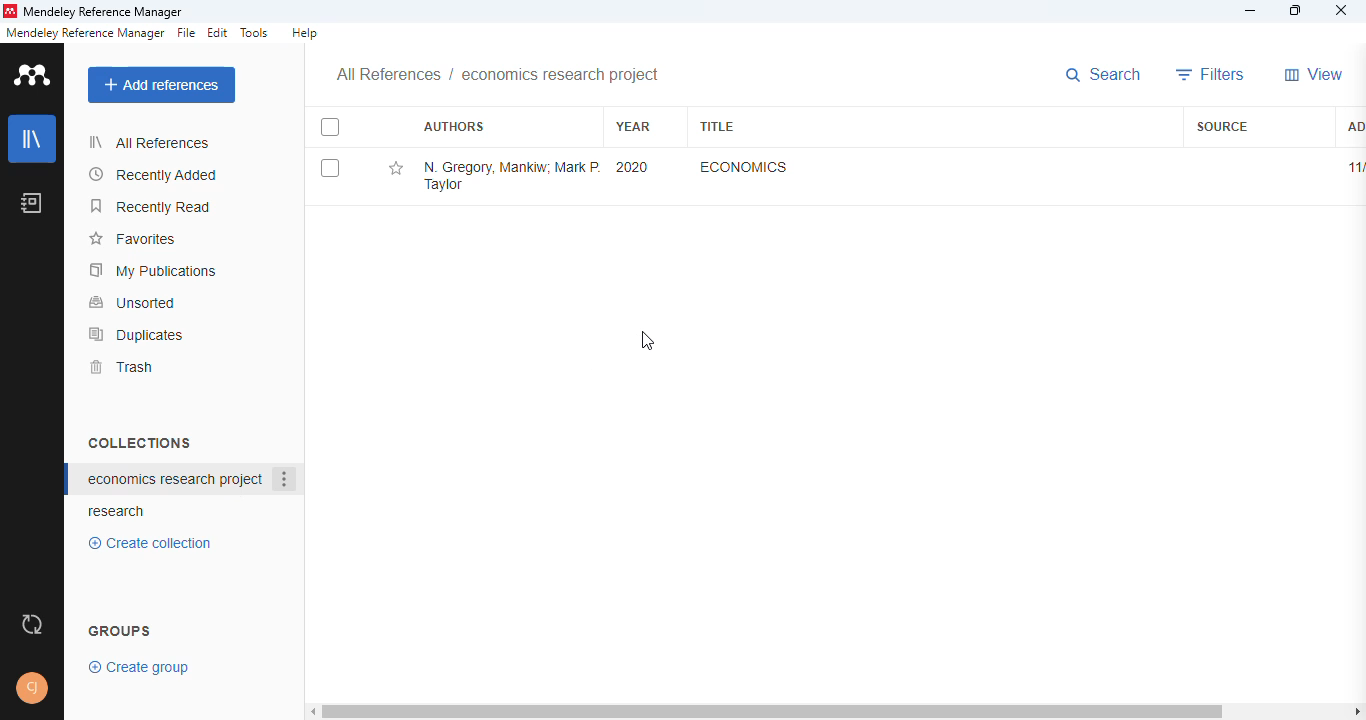 The image size is (1366, 720). Describe the element at coordinates (1223, 127) in the screenshot. I see `source` at that location.